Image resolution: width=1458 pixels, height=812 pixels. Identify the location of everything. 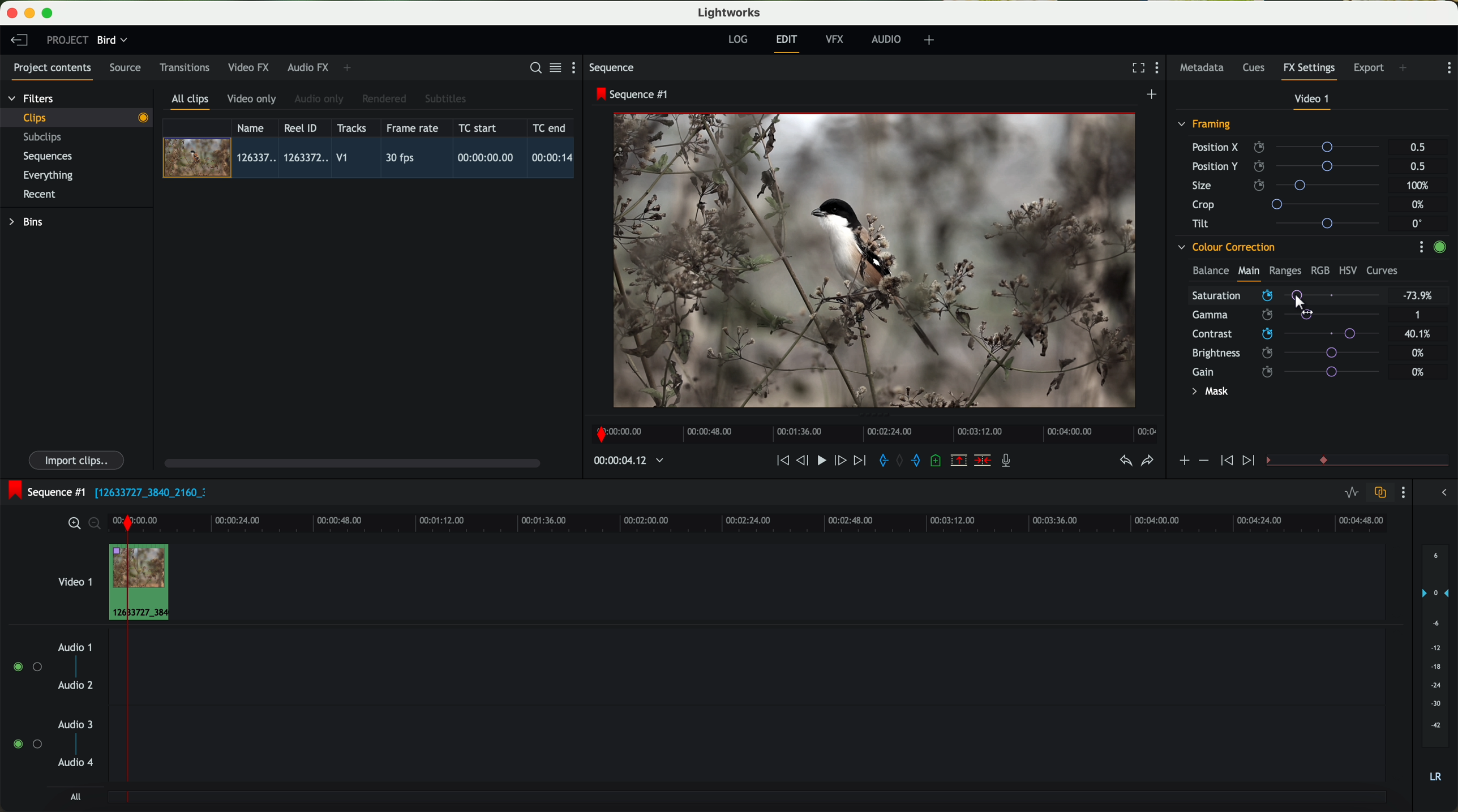
(49, 175).